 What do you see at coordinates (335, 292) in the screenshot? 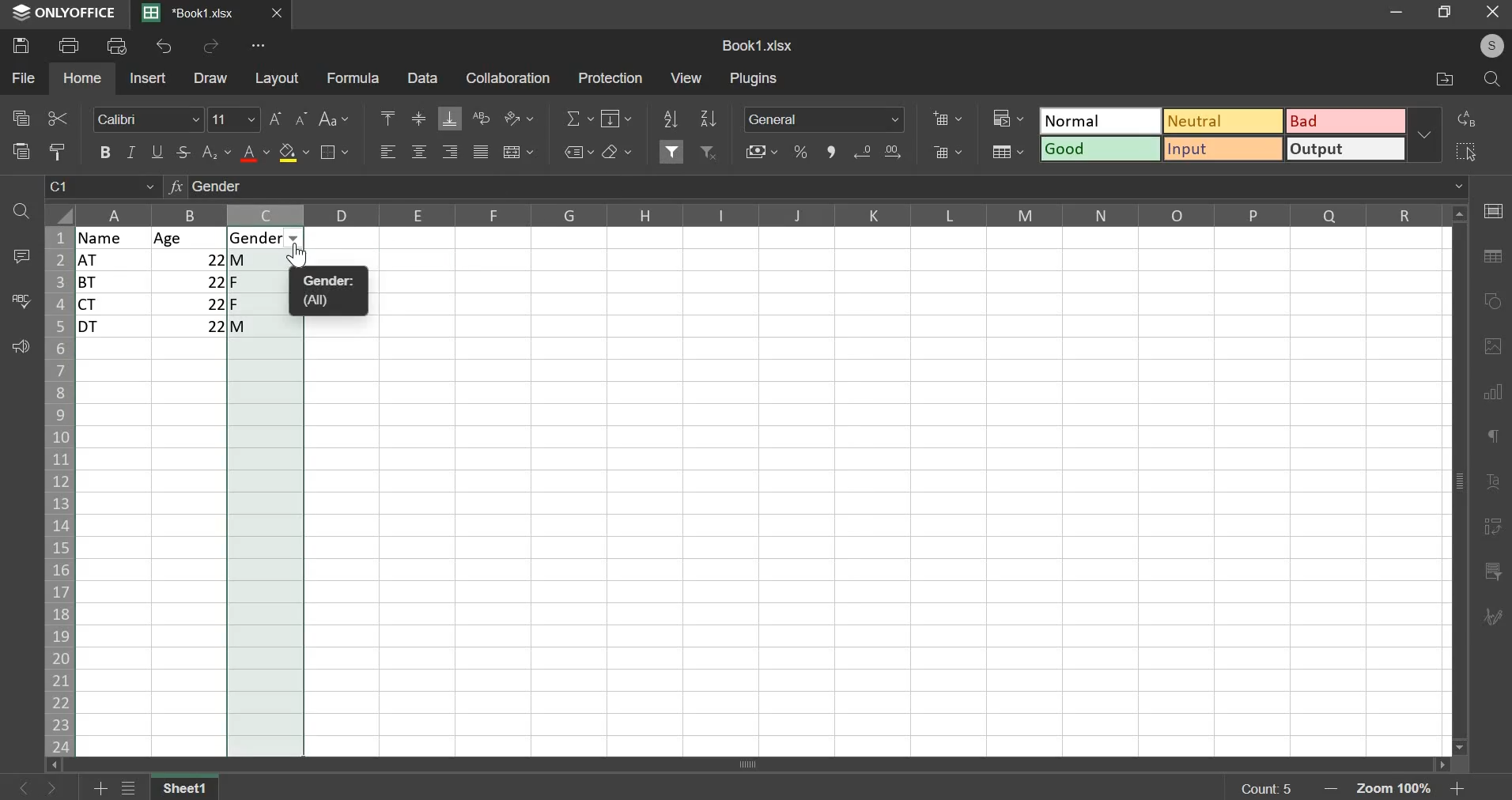
I see `gender (all)` at bounding box center [335, 292].